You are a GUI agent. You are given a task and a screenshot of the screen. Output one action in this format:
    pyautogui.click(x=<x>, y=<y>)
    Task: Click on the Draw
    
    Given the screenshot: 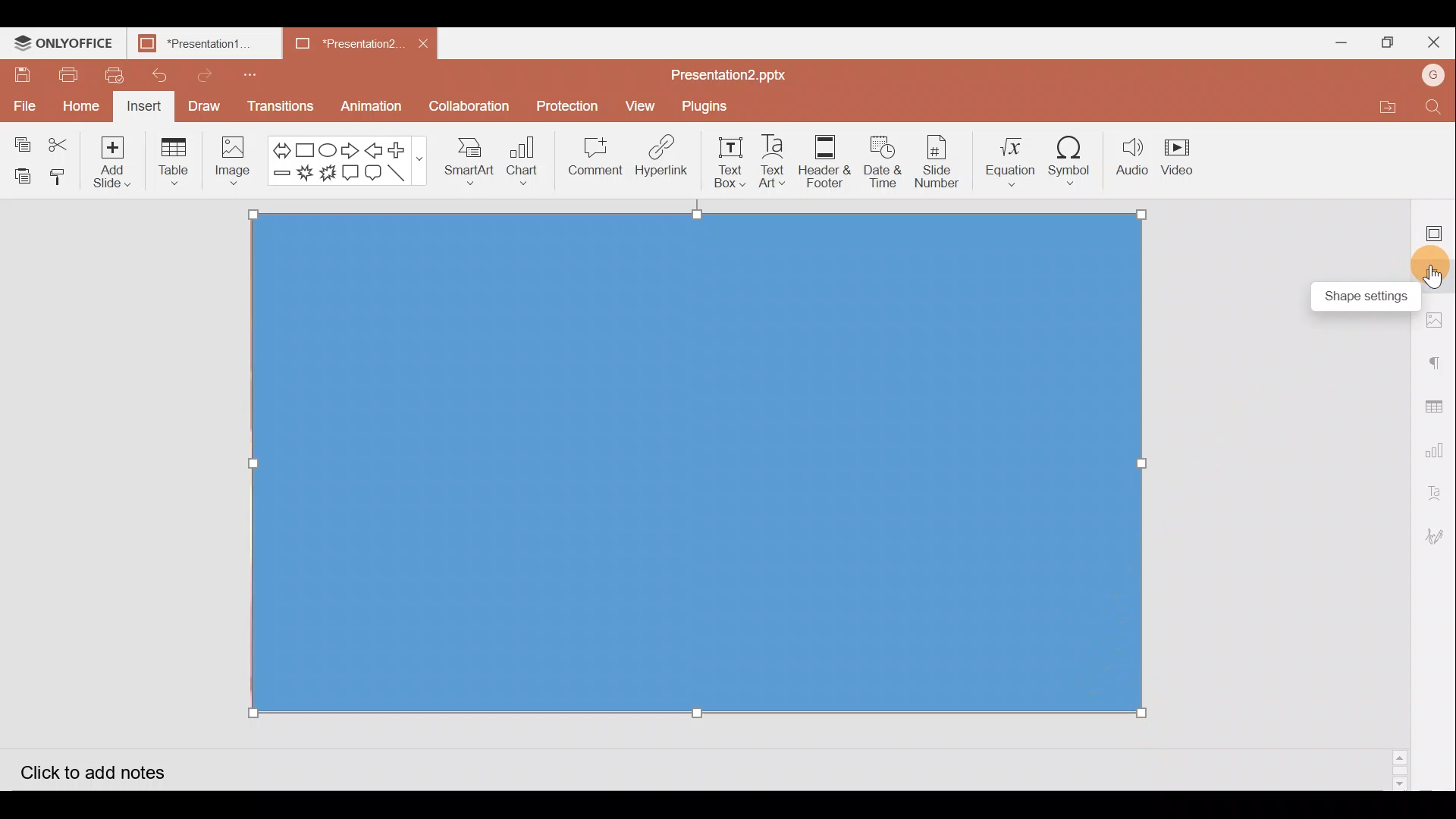 What is the action you would take?
    pyautogui.click(x=205, y=108)
    